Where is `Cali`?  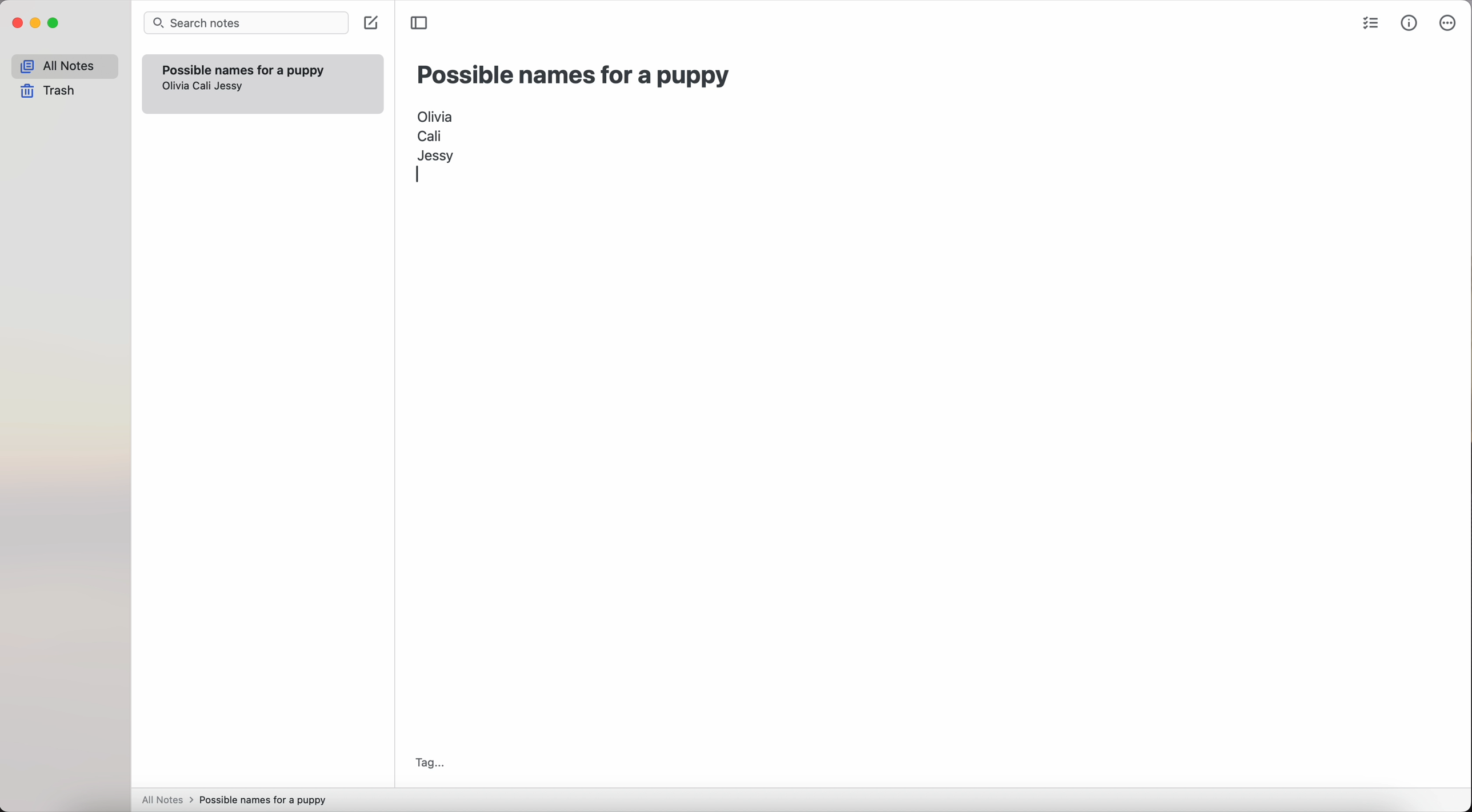
Cali is located at coordinates (430, 135).